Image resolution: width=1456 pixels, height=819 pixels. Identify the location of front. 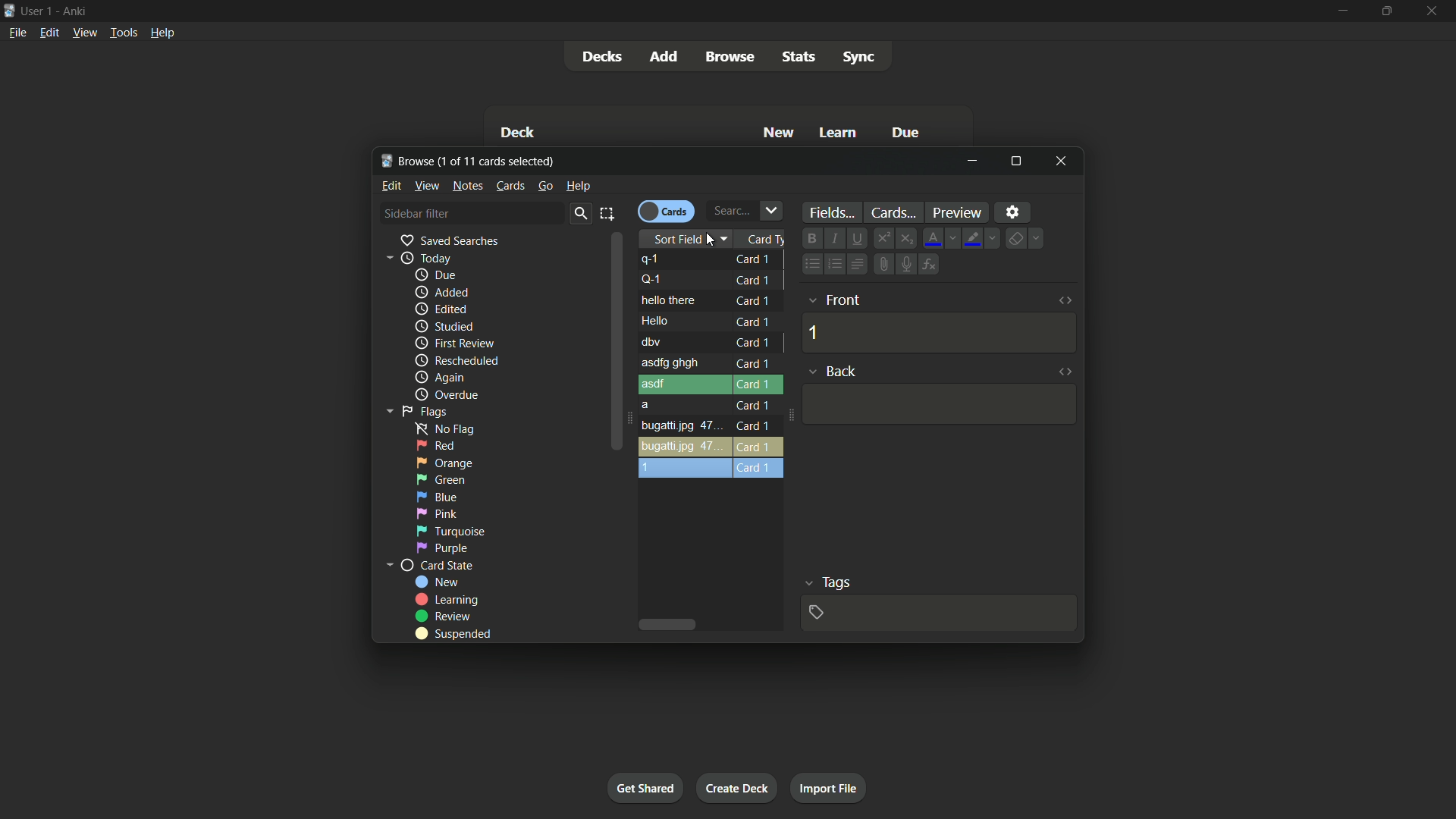
(844, 300).